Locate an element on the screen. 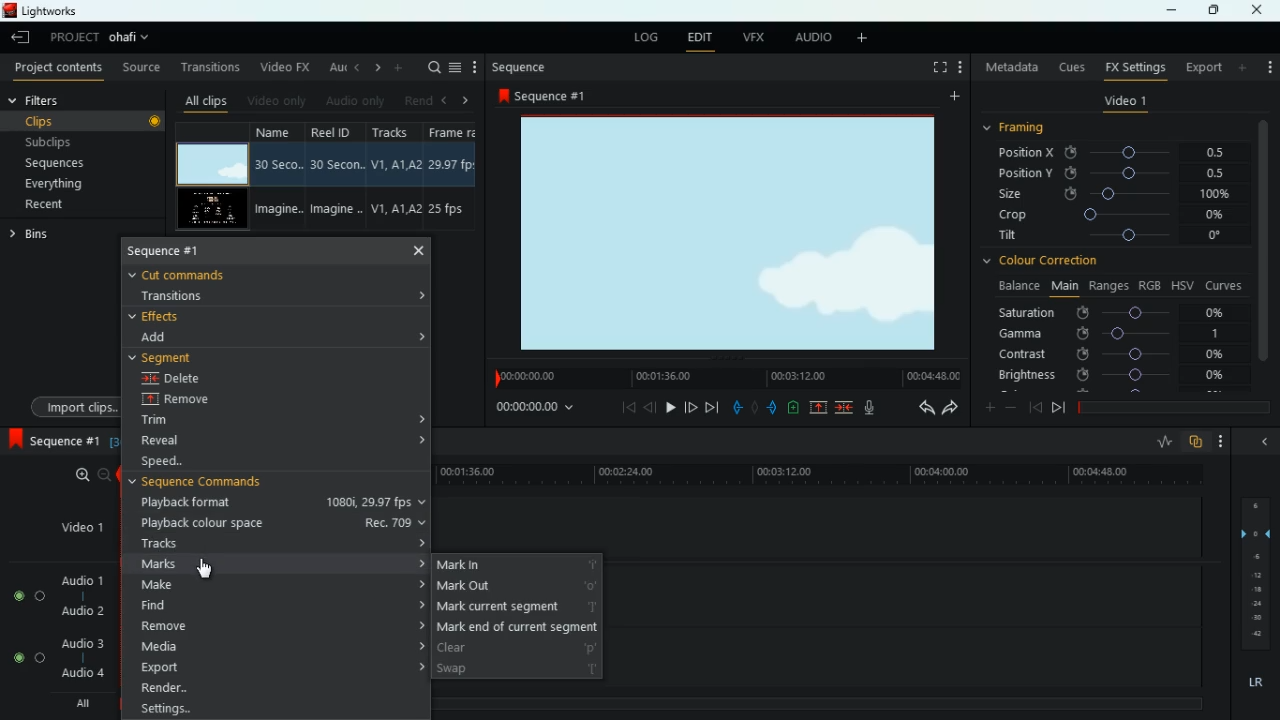 Image resolution: width=1280 pixels, height=720 pixels. saturation is located at coordinates (1113, 314).